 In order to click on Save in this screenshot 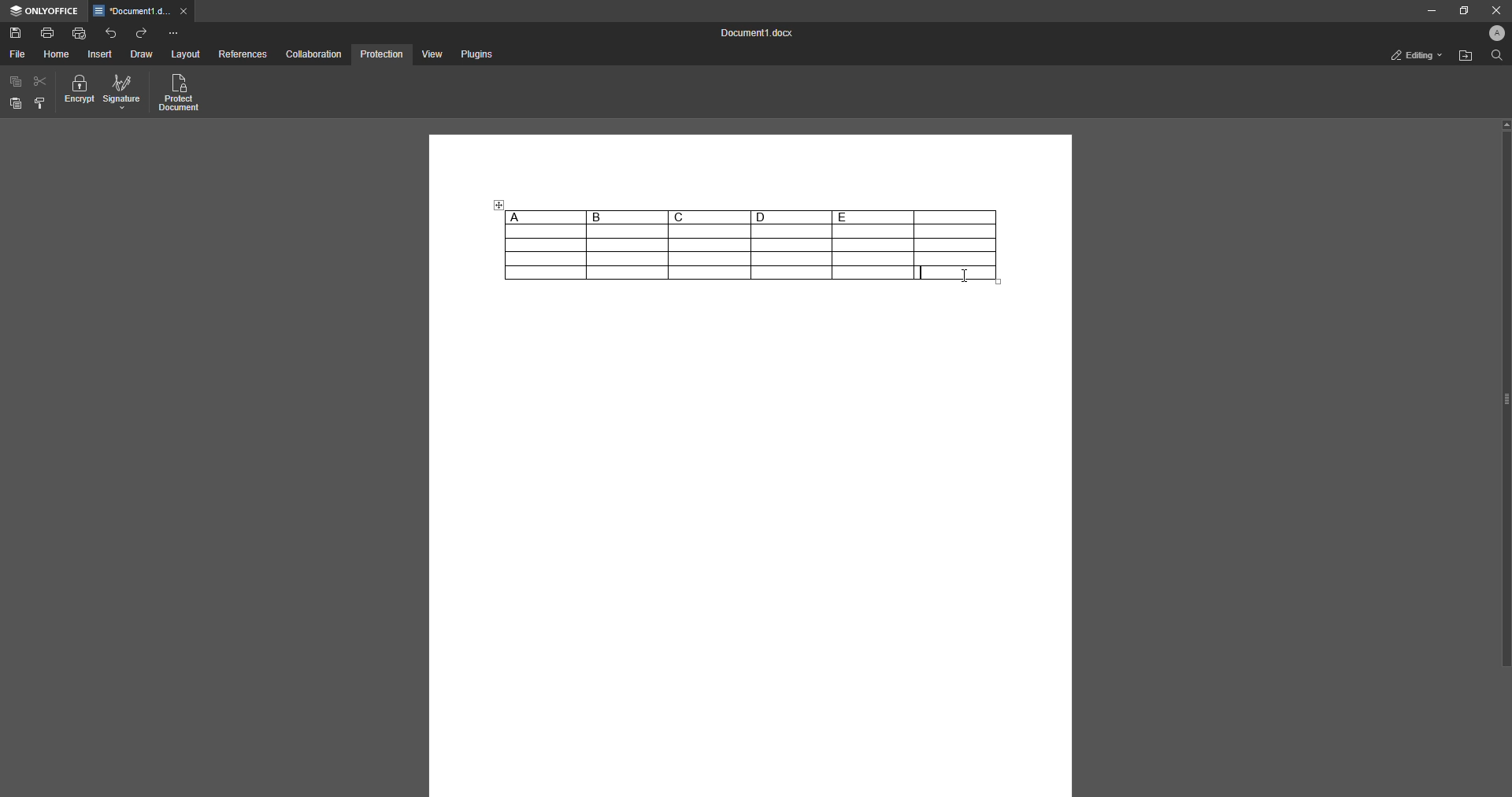, I will do `click(16, 34)`.